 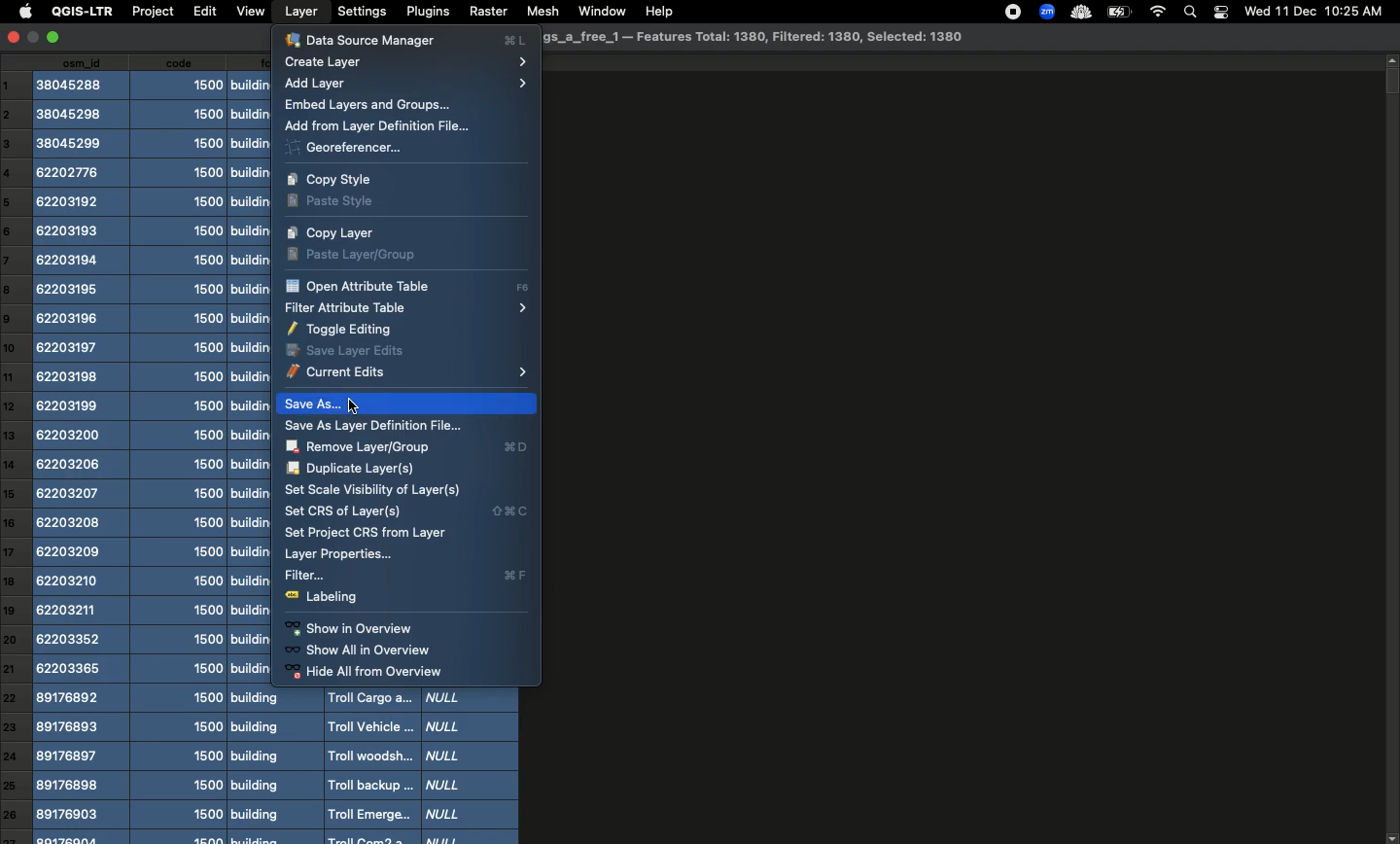 I want to click on Scroll, so click(x=1391, y=448).